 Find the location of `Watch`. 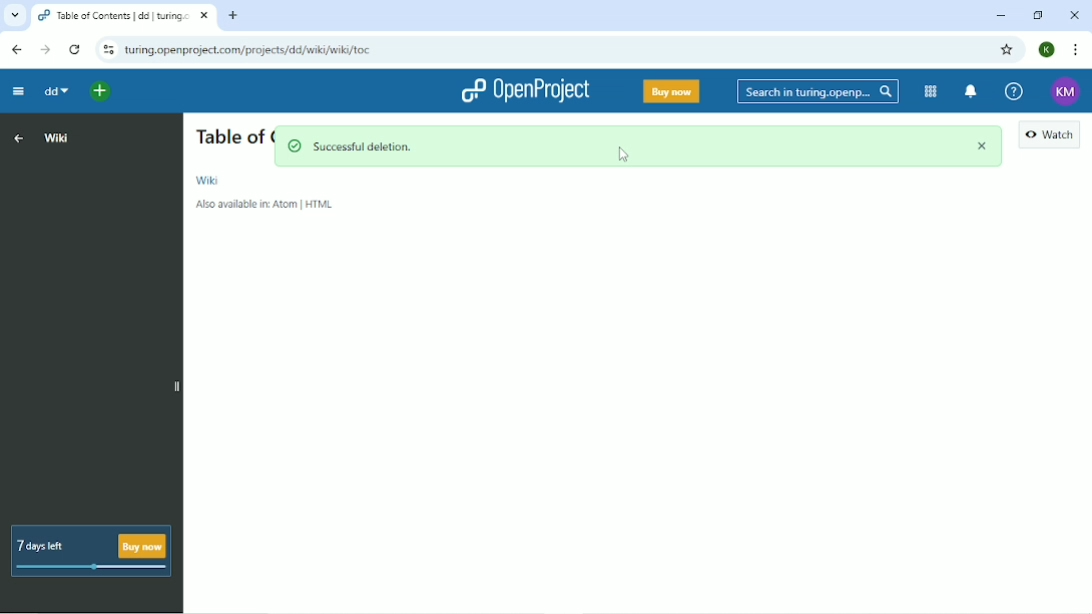

Watch is located at coordinates (1050, 137).